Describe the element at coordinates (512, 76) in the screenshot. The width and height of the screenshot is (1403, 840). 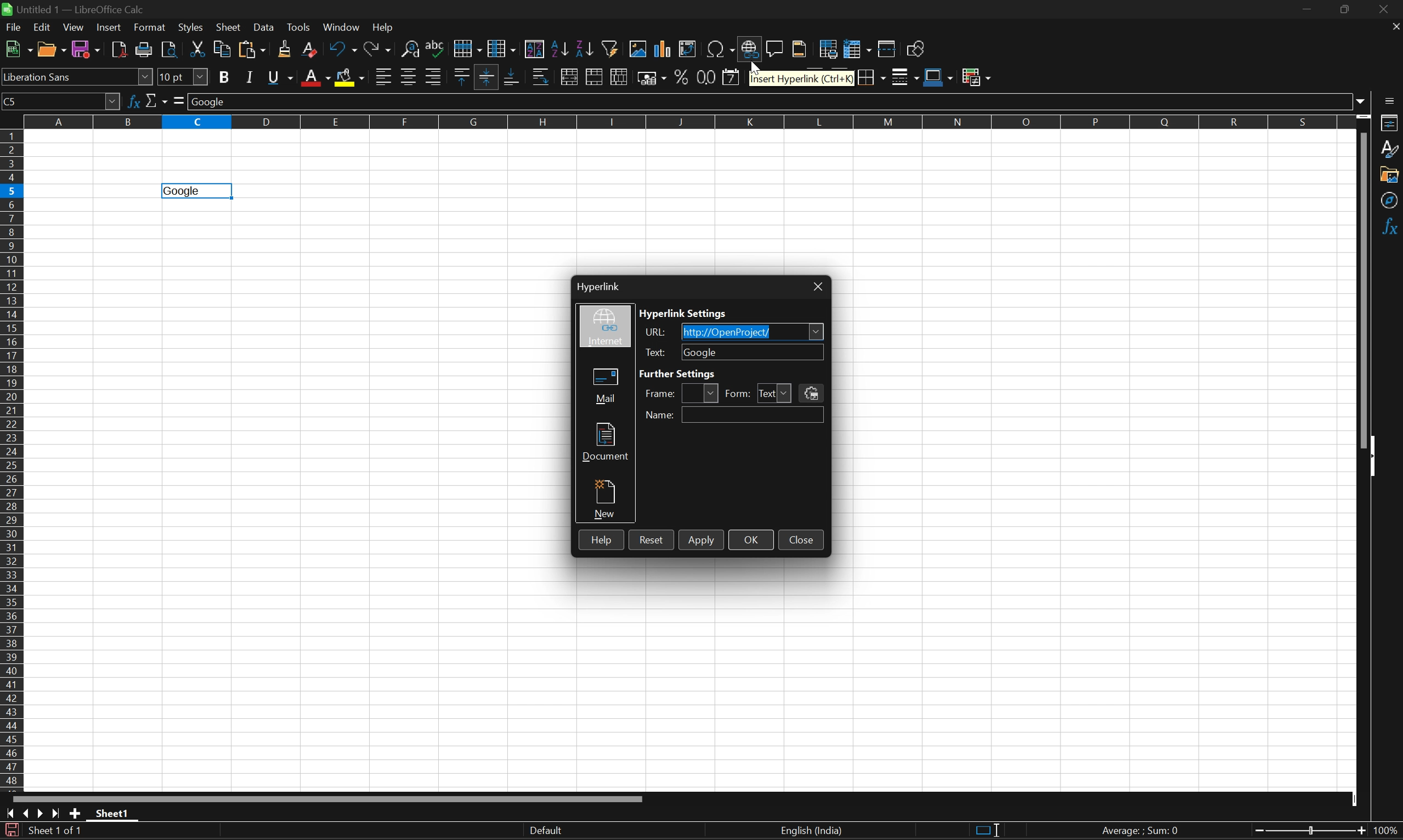
I see `Align bottom` at that location.